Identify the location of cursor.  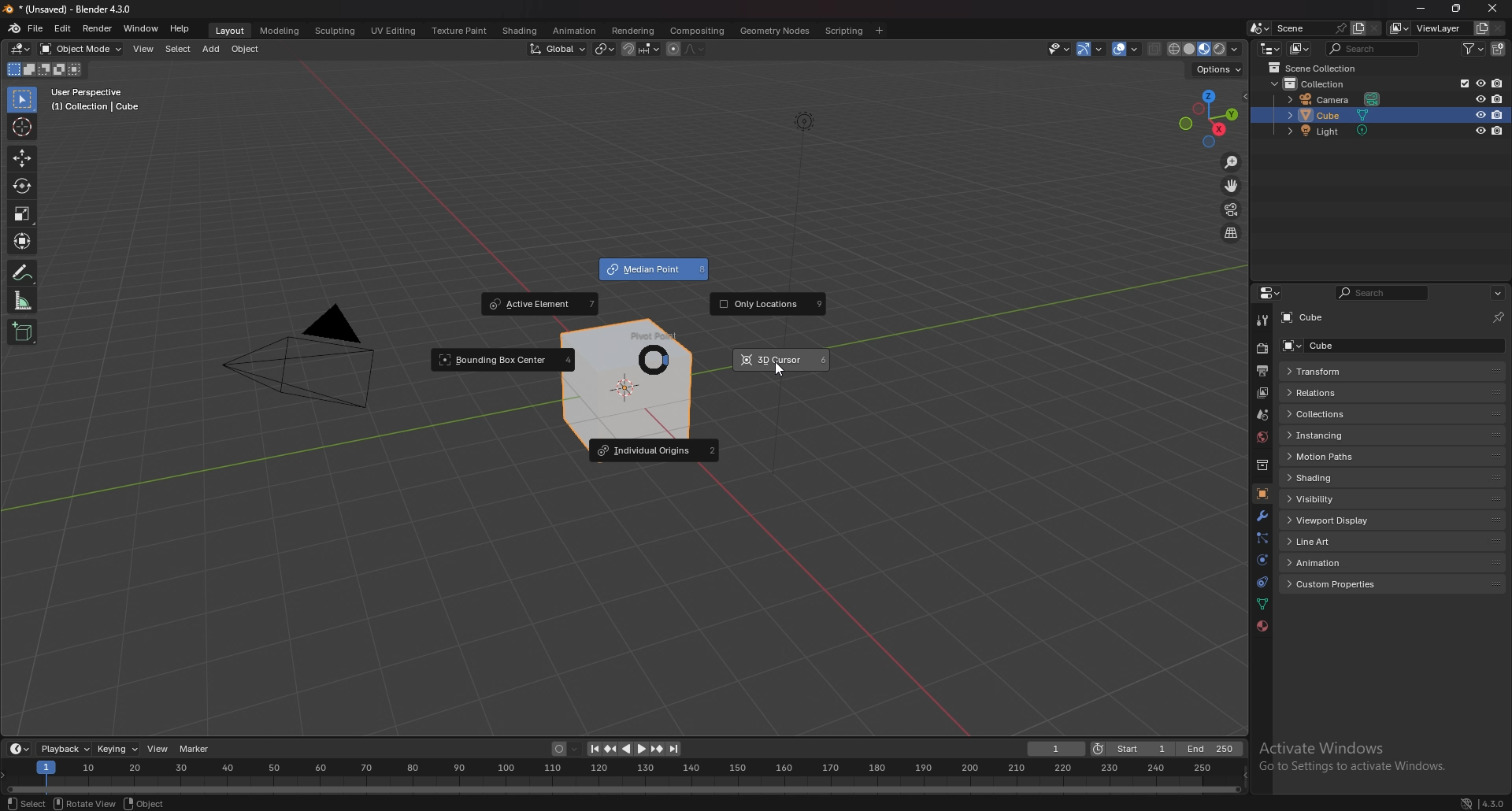
(21, 127).